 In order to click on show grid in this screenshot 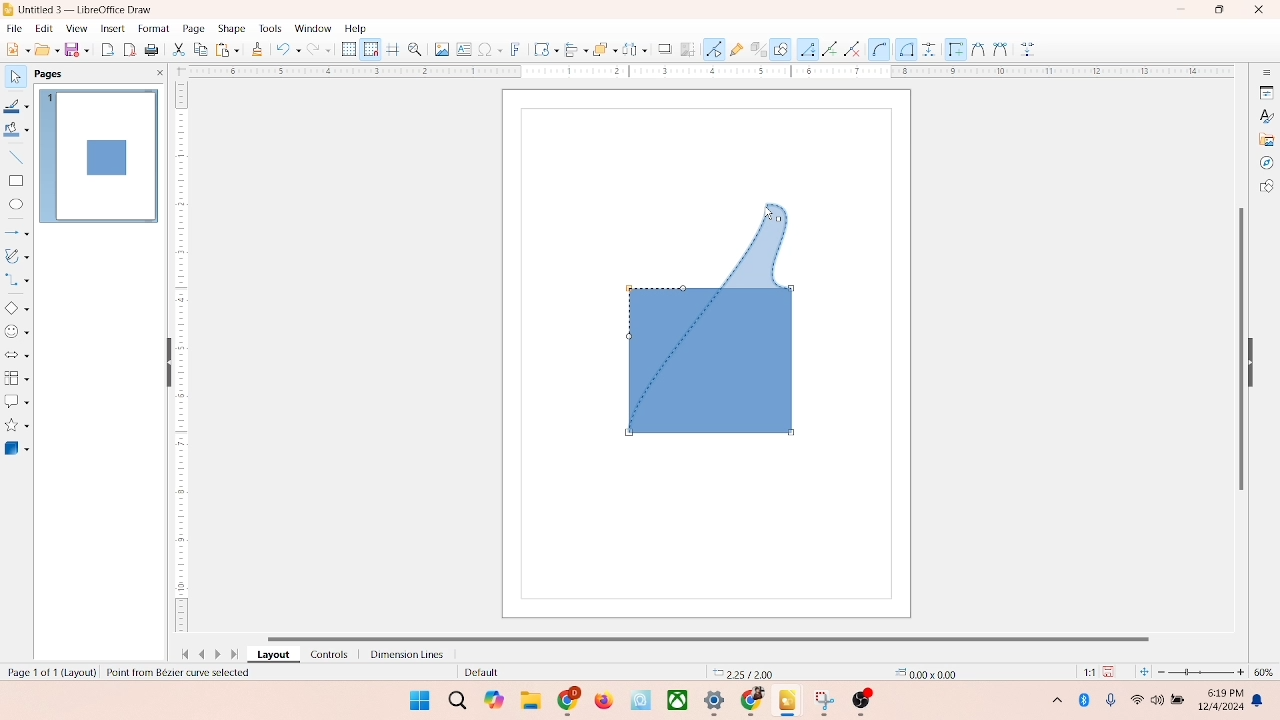, I will do `click(348, 50)`.